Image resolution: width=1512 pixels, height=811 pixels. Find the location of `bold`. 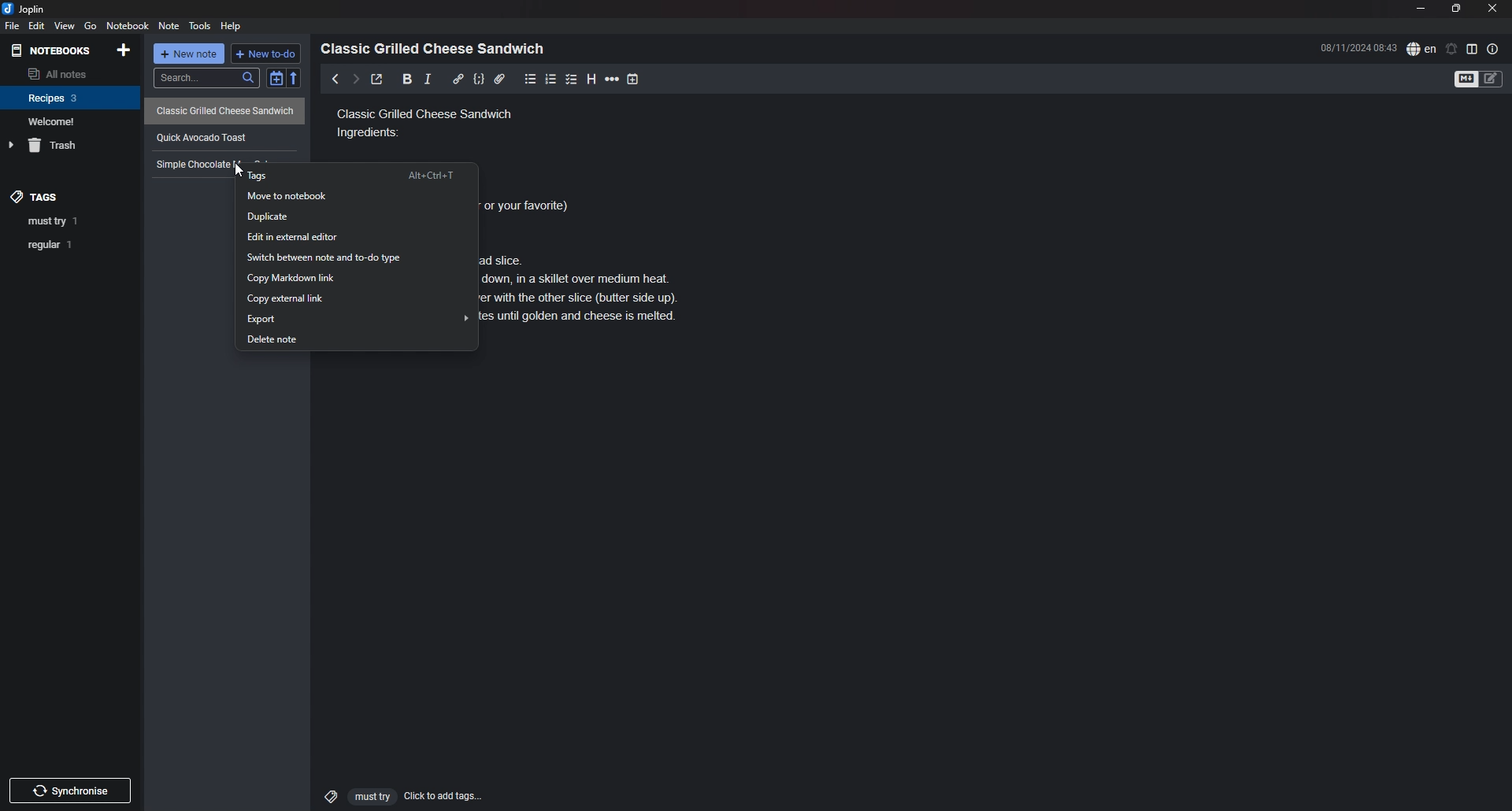

bold is located at coordinates (402, 80).